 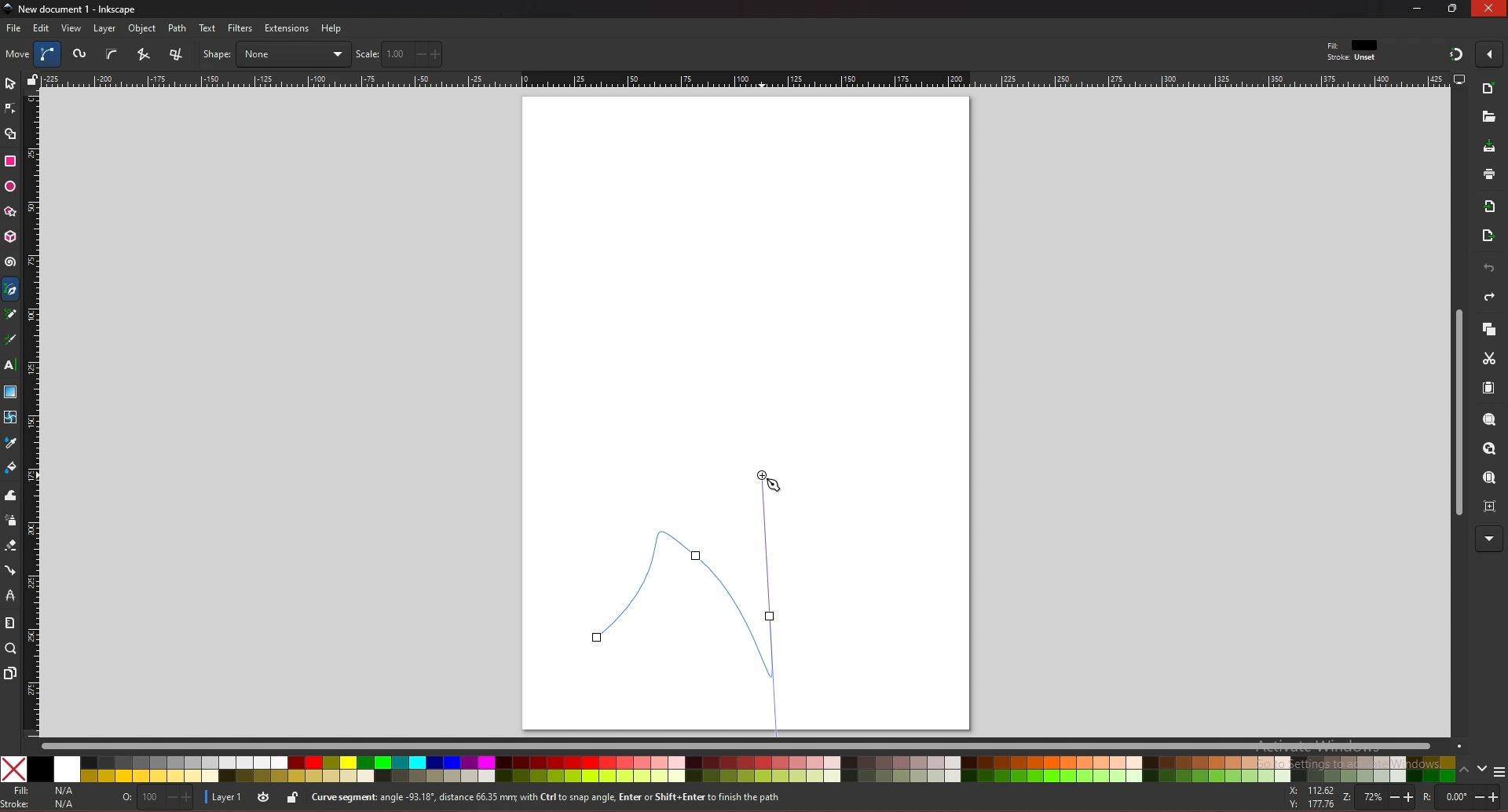 I want to click on export, so click(x=1488, y=236).